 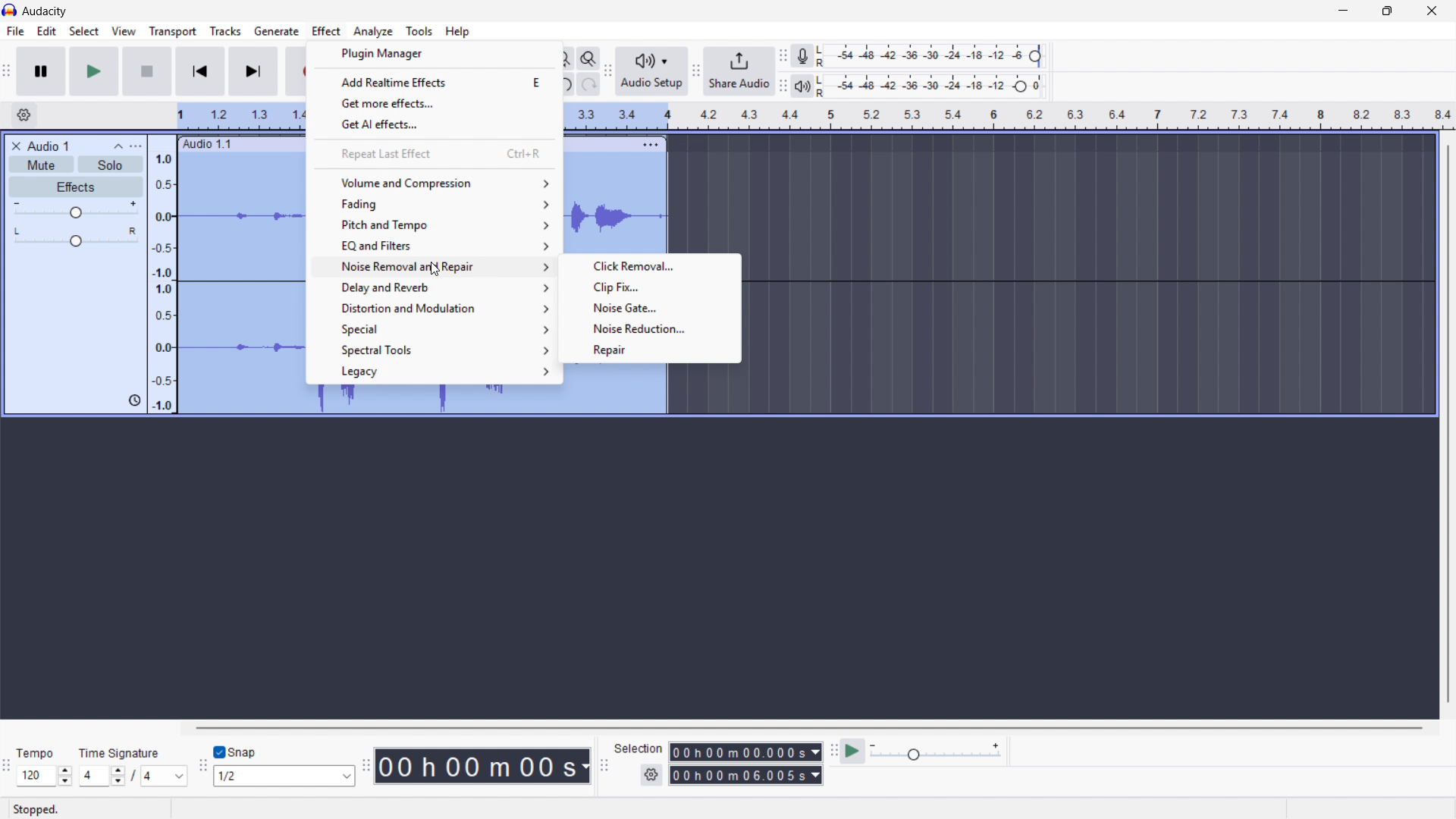 What do you see at coordinates (6, 73) in the screenshot?
I see `Transport toolbar ` at bounding box center [6, 73].